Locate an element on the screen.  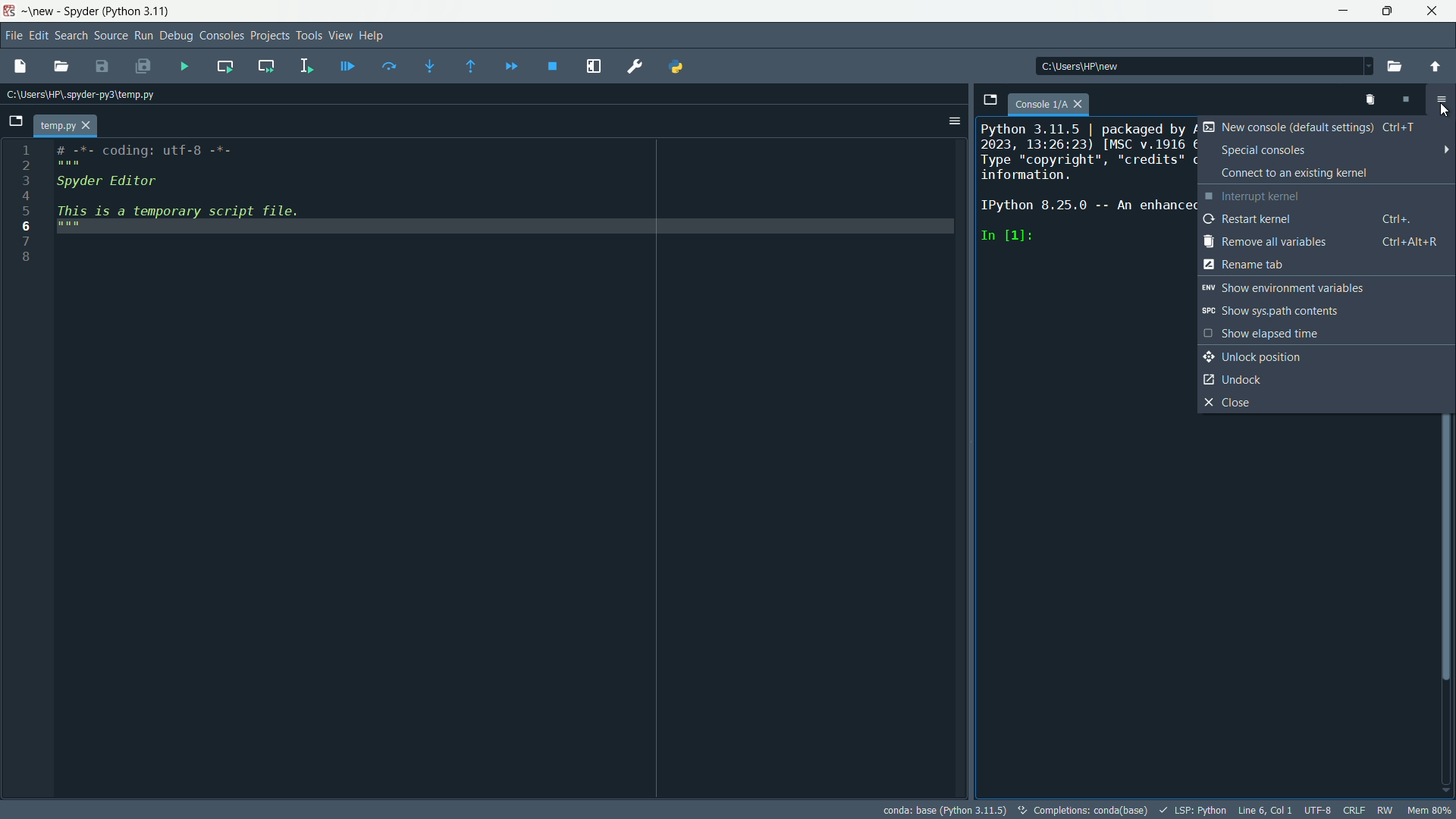
1 2 3 4 5 6 7 8 is located at coordinates (24, 206).